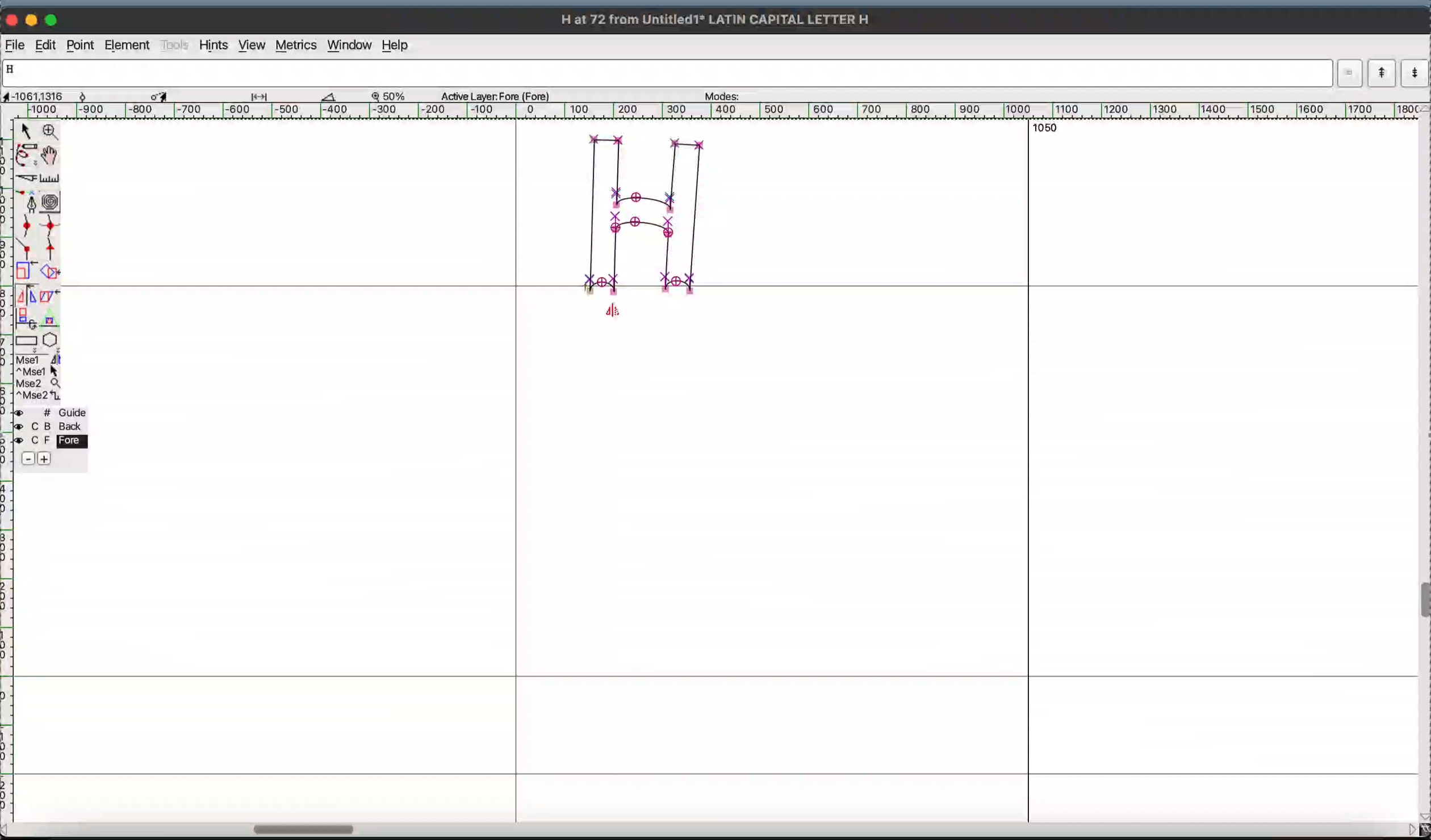  I want to click on file, so click(15, 45).